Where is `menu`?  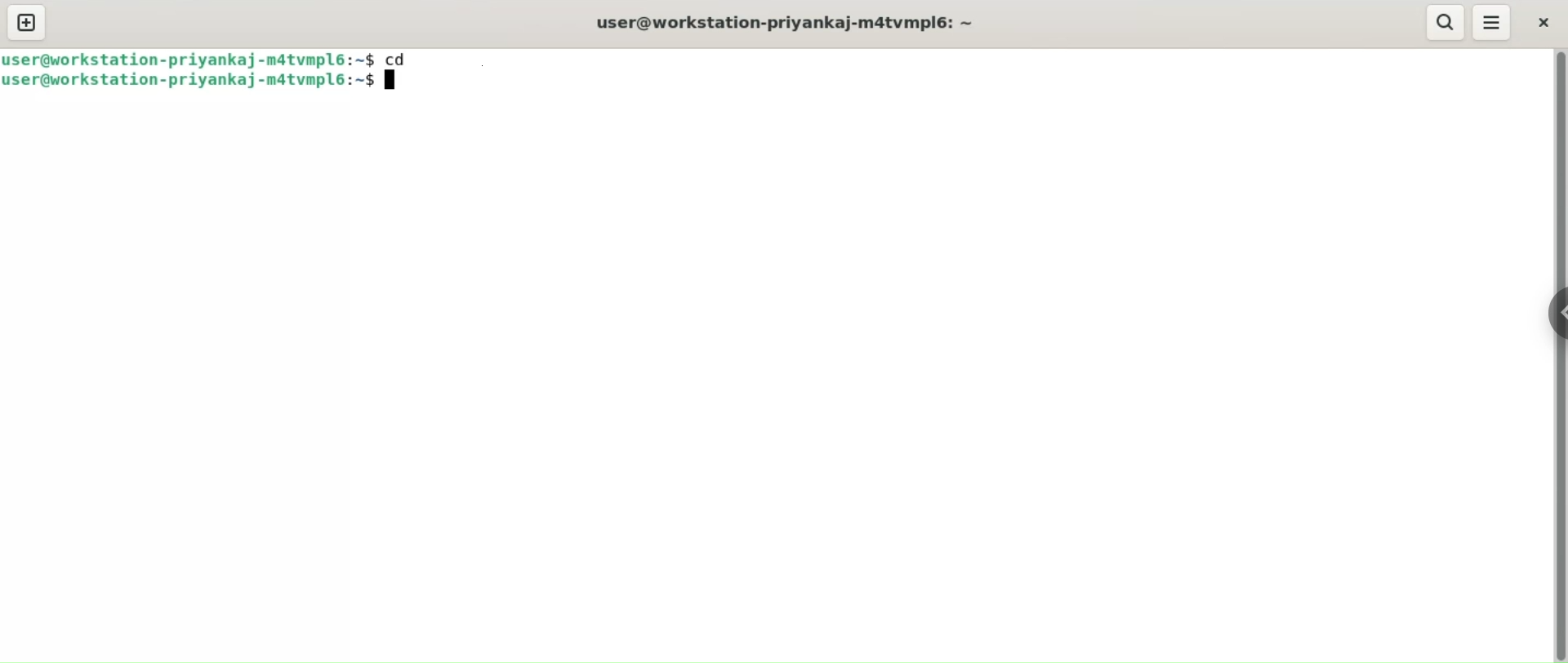
menu is located at coordinates (1492, 22).